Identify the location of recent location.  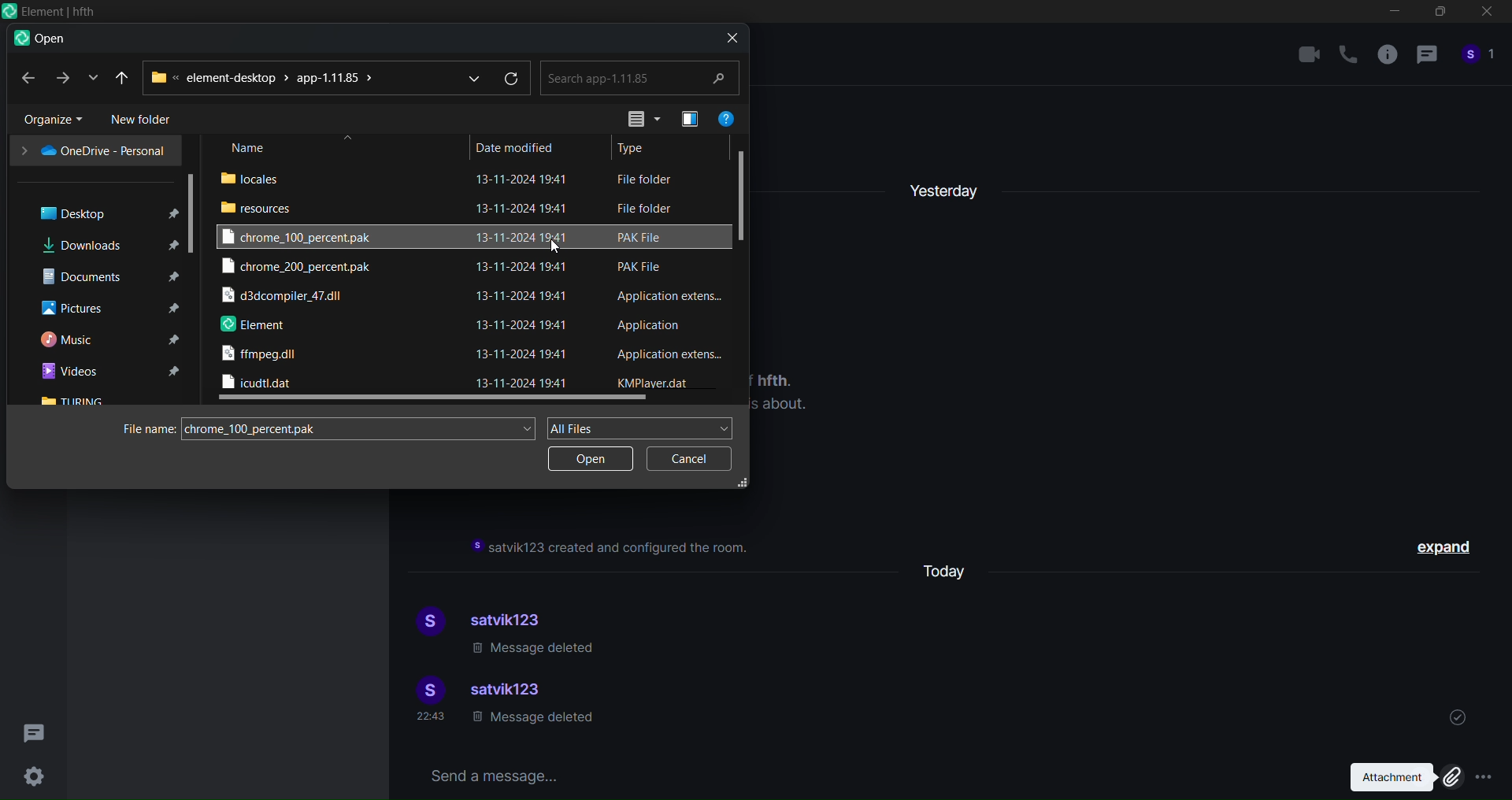
(90, 78).